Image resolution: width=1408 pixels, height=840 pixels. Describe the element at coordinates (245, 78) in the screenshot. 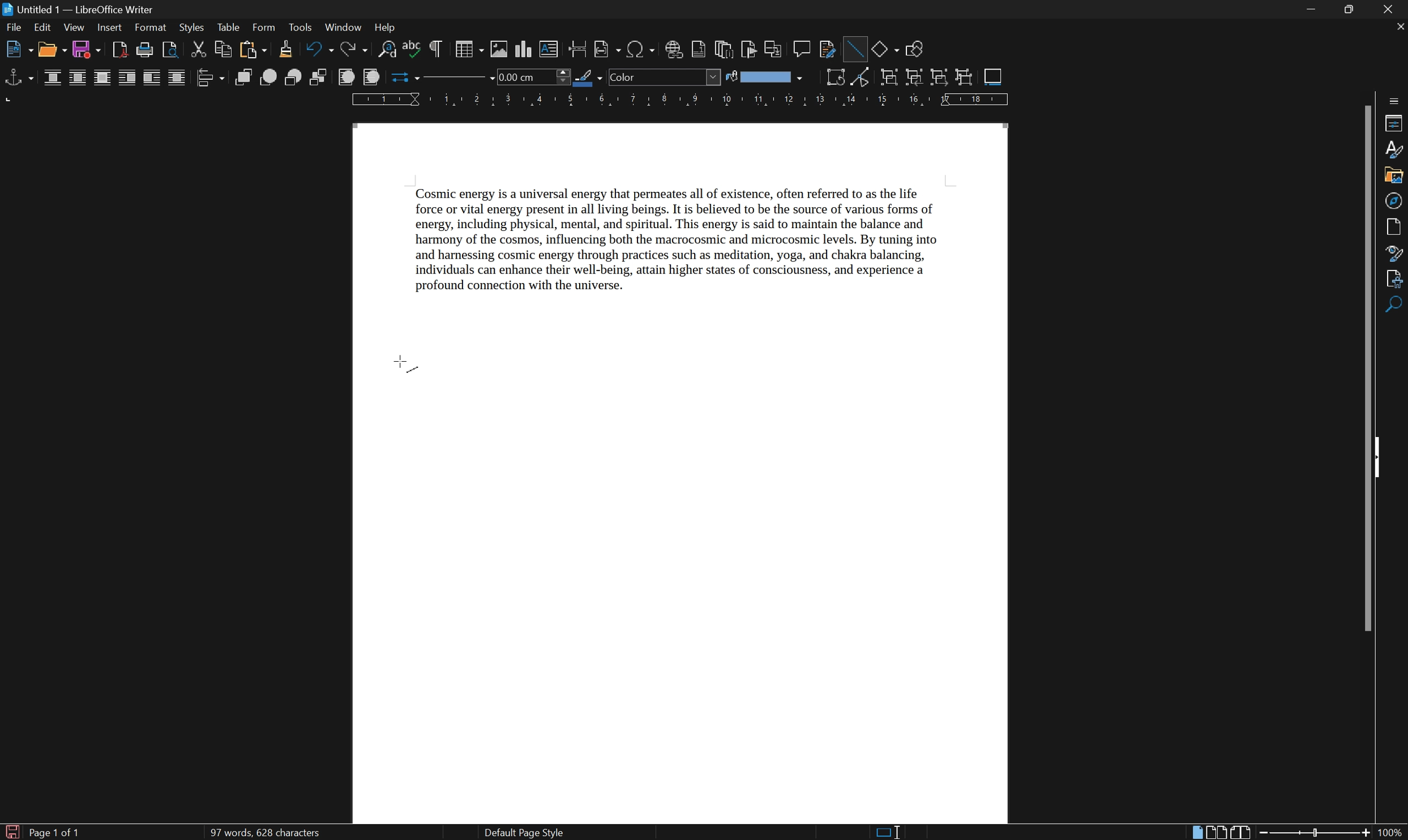

I see `bring to front` at that location.